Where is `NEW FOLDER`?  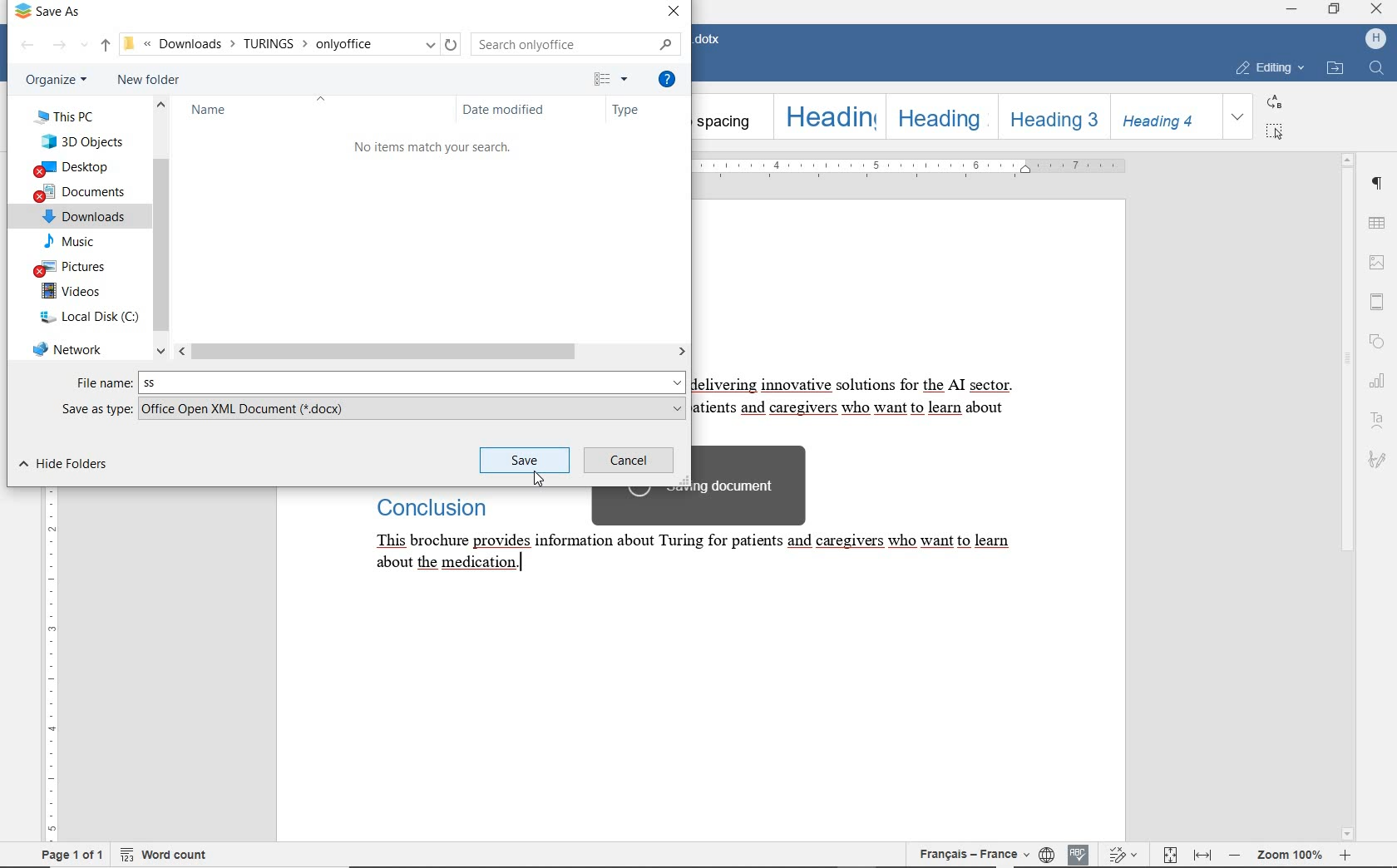 NEW FOLDER is located at coordinates (150, 81).